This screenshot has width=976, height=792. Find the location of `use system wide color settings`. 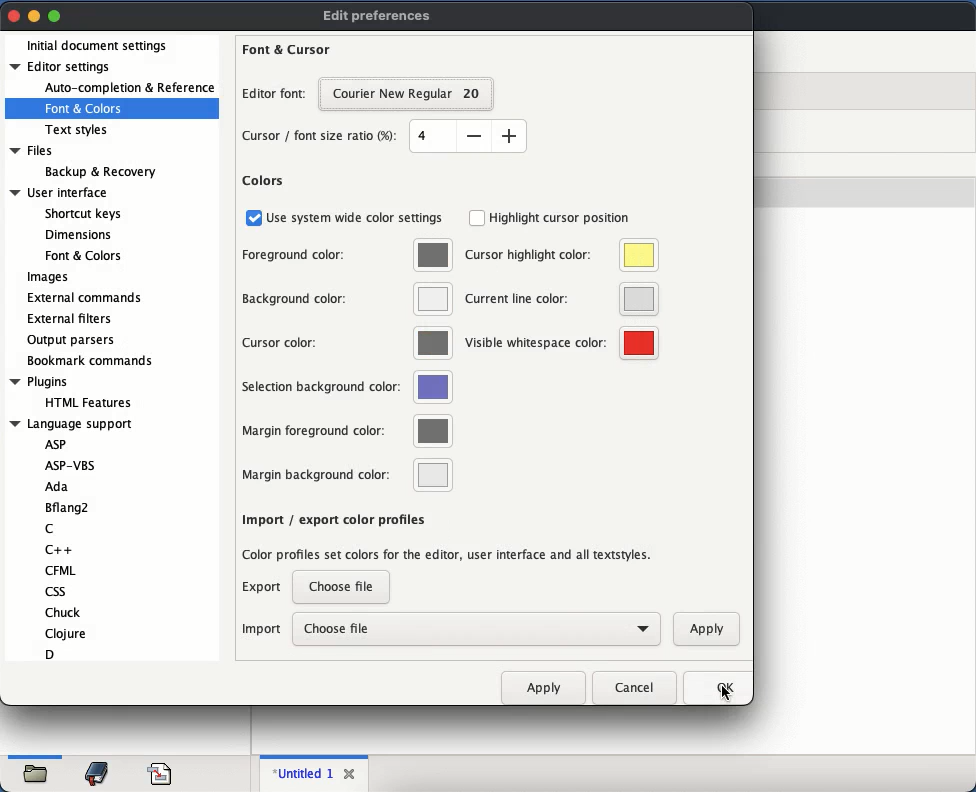

use system wide color settings is located at coordinates (355, 217).